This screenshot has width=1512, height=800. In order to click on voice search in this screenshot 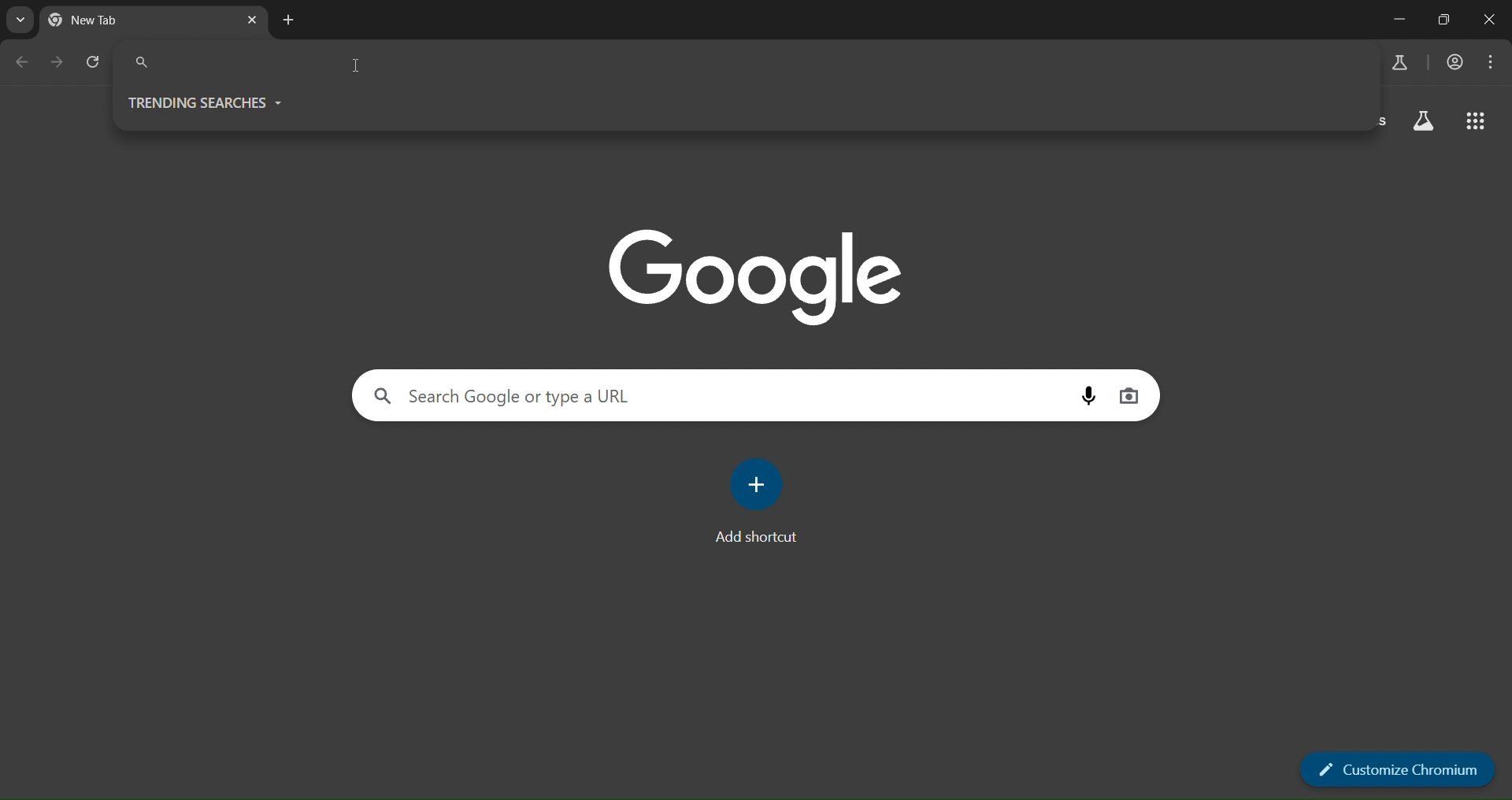, I will do `click(1087, 398)`.